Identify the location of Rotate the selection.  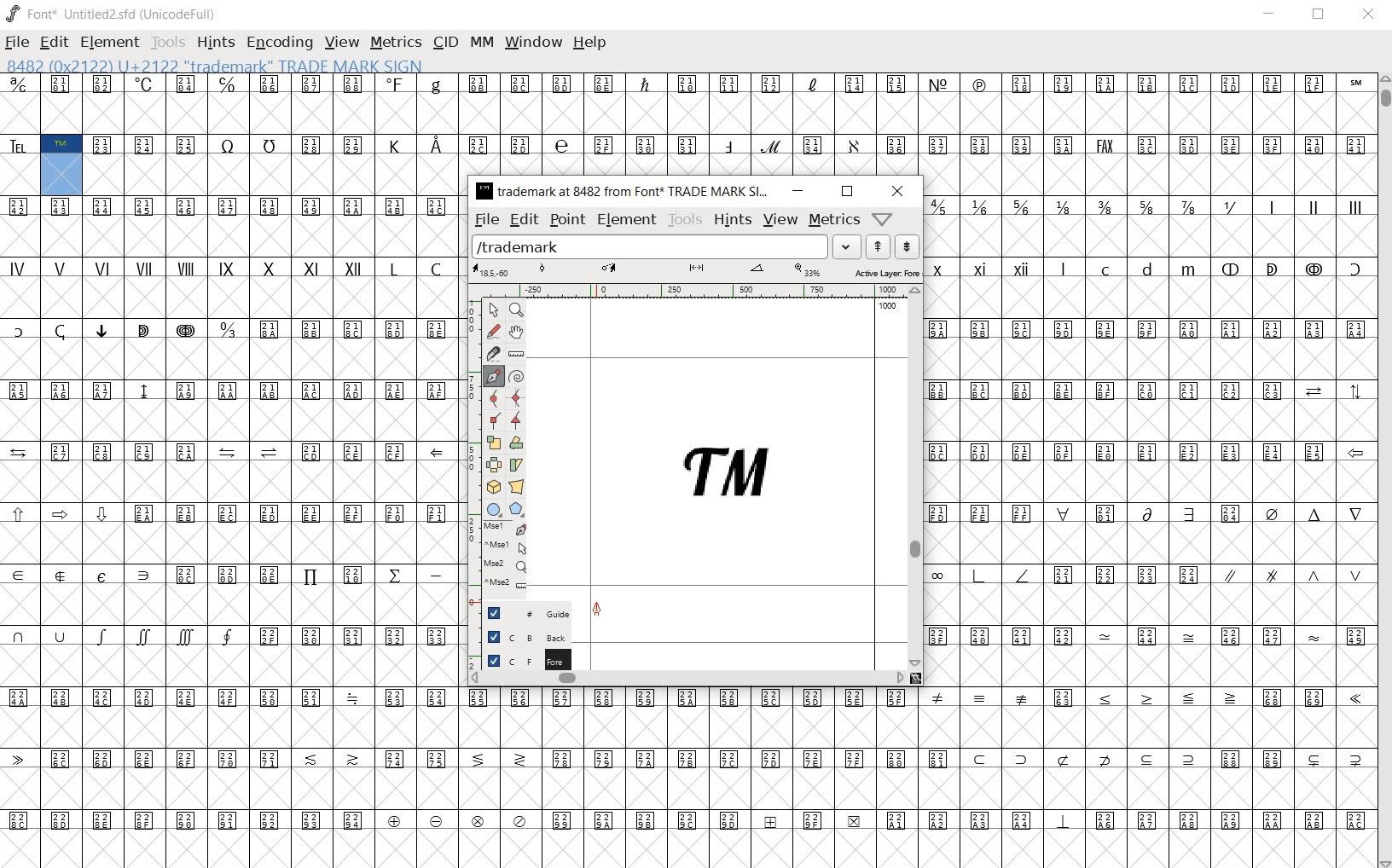
(516, 443).